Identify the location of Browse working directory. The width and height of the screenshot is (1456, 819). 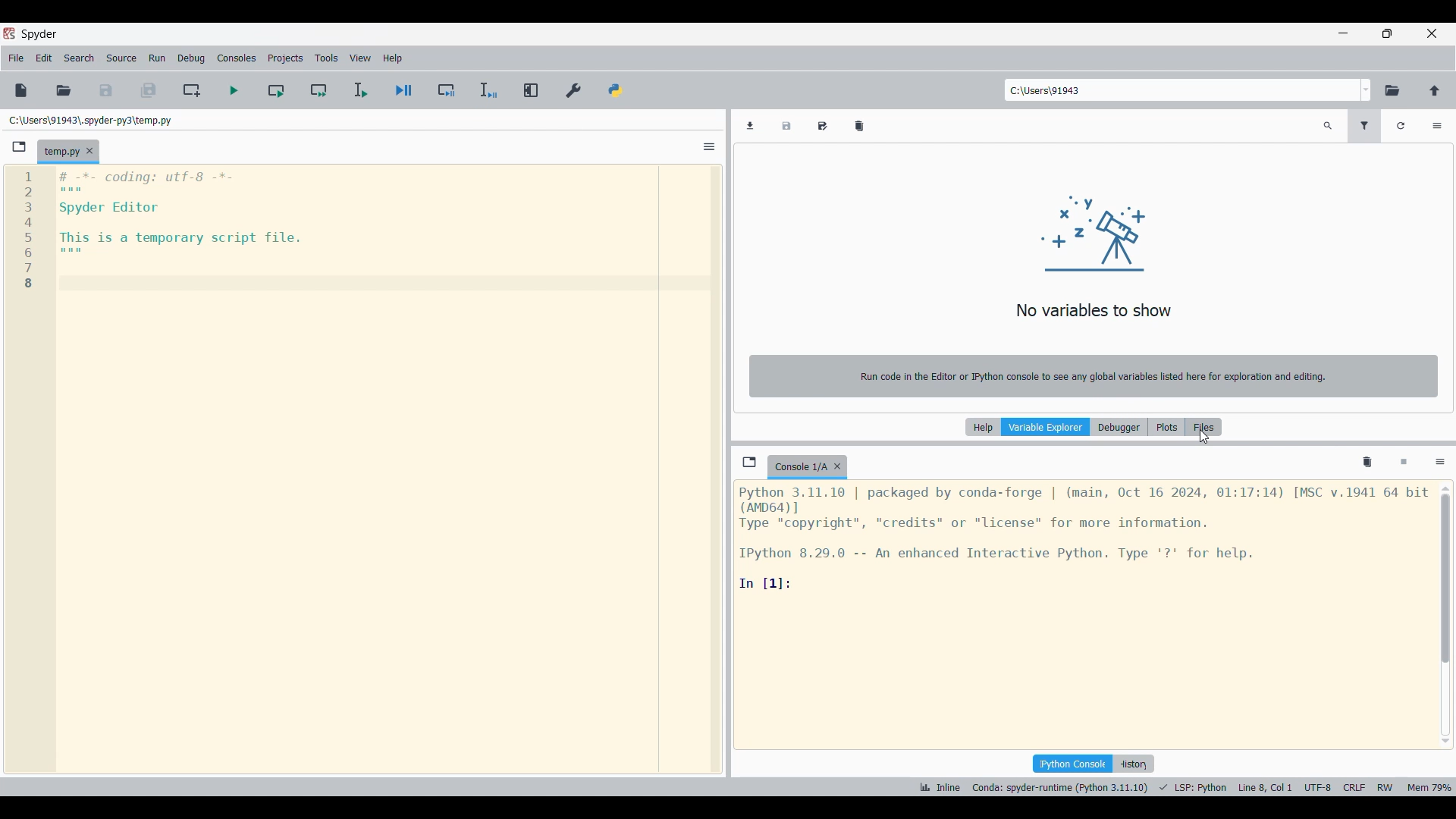
(1392, 91).